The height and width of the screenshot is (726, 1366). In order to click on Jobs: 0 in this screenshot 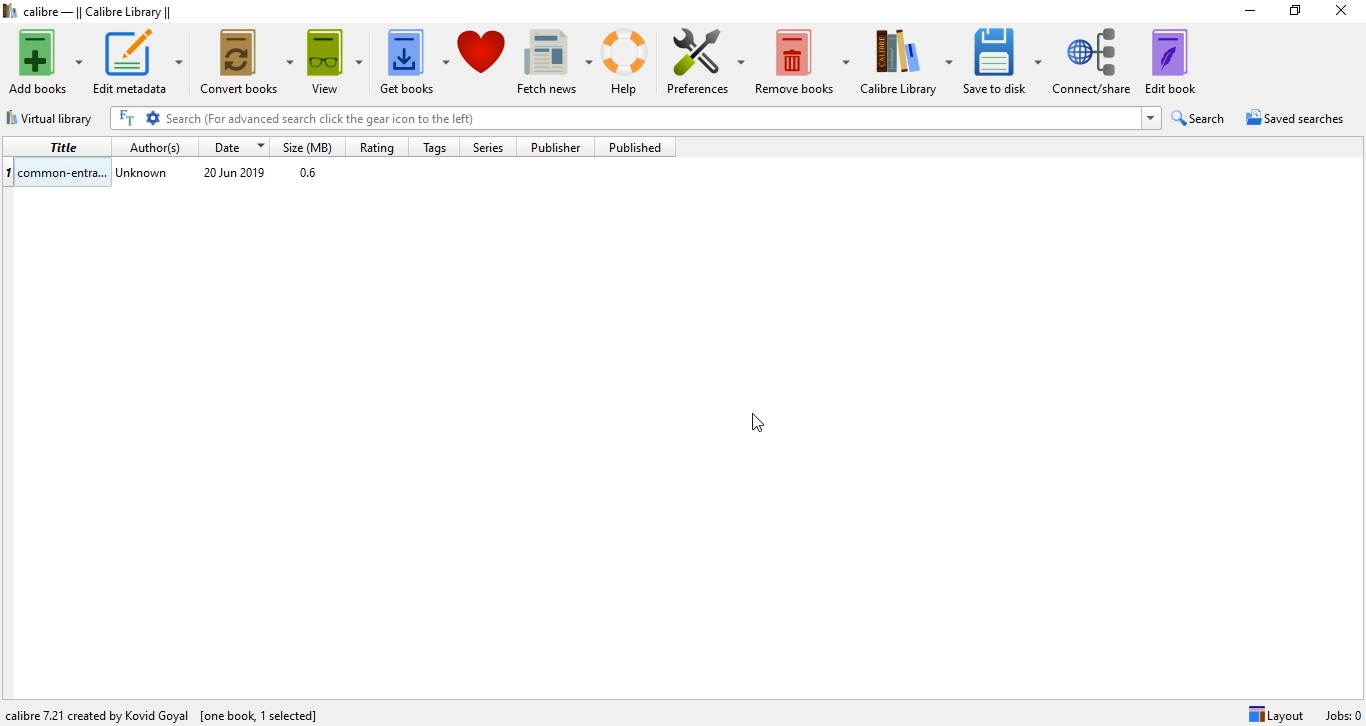, I will do `click(1341, 715)`.